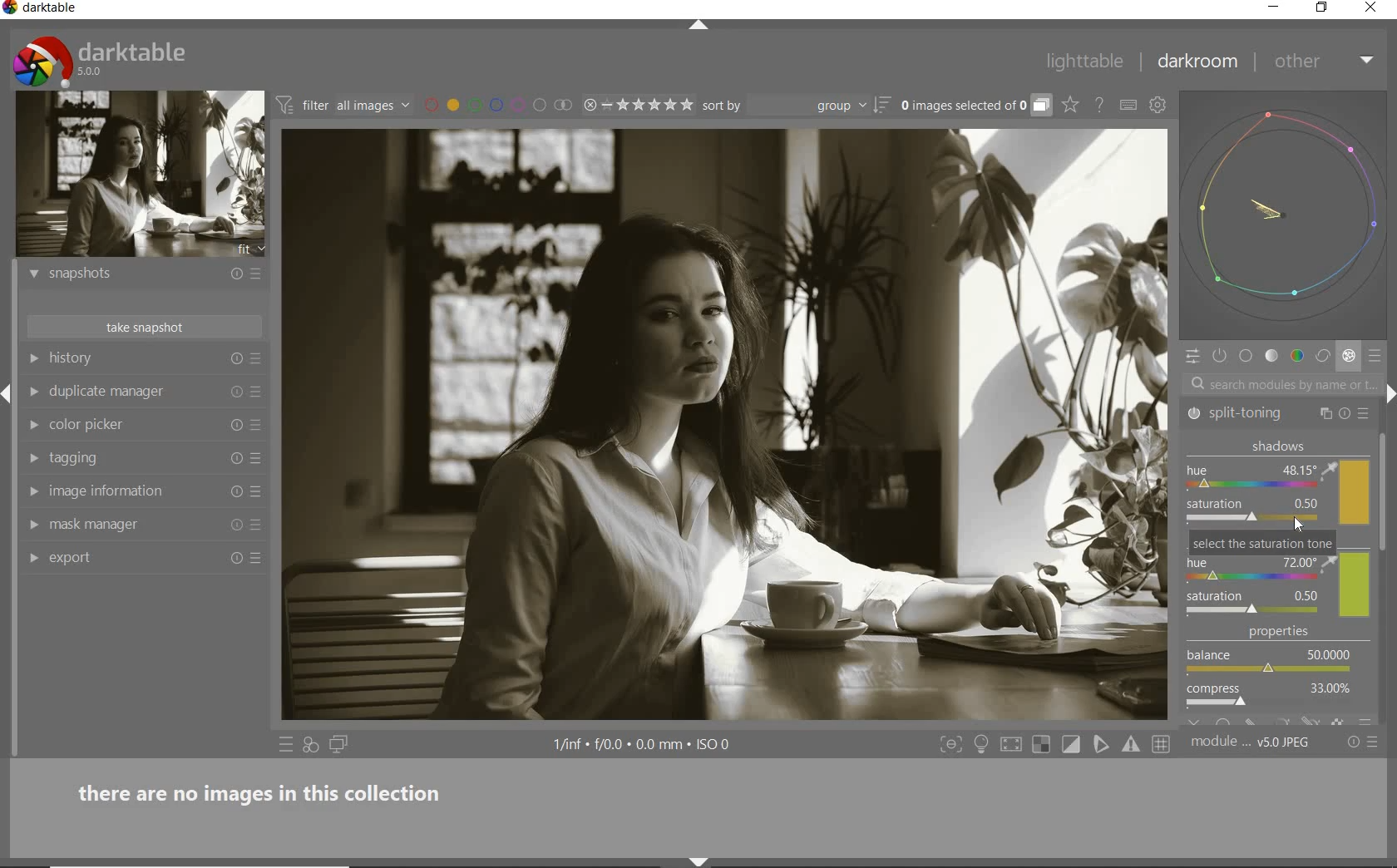  What do you see at coordinates (1130, 745) in the screenshot?
I see `Toggle gamut checking` at bounding box center [1130, 745].